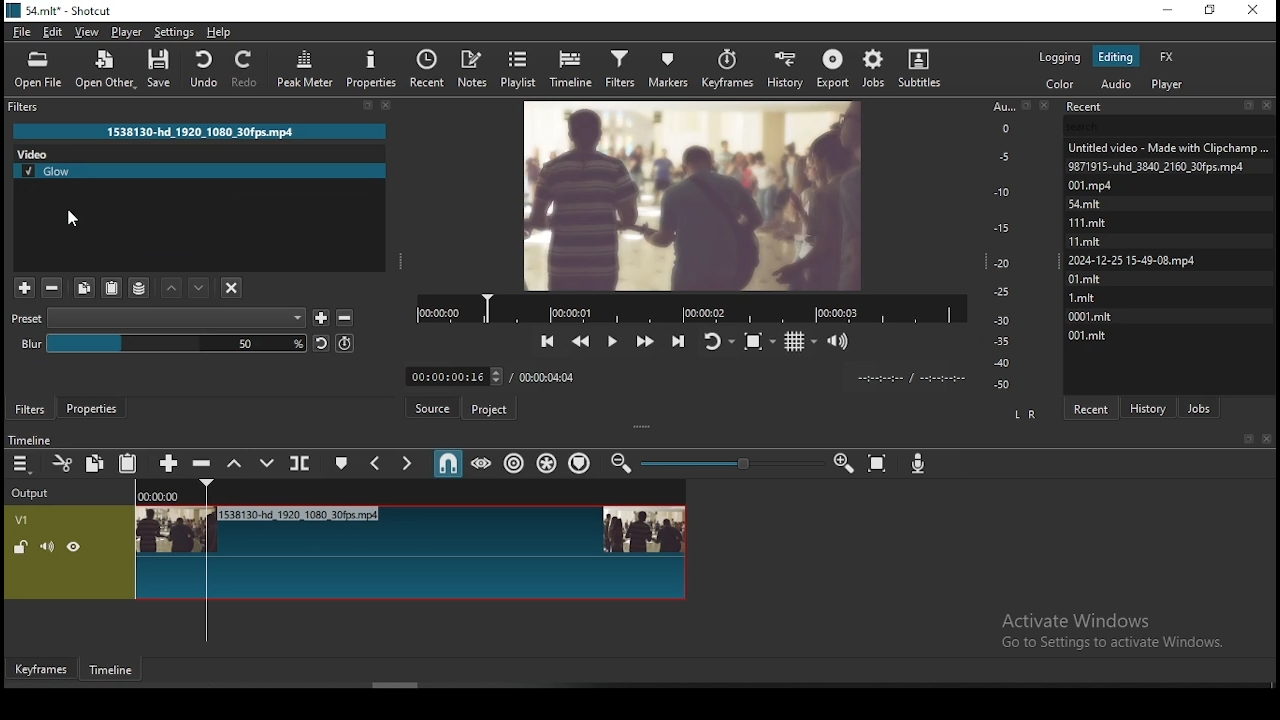  Describe the element at coordinates (165, 72) in the screenshot. I see `save` at that location.